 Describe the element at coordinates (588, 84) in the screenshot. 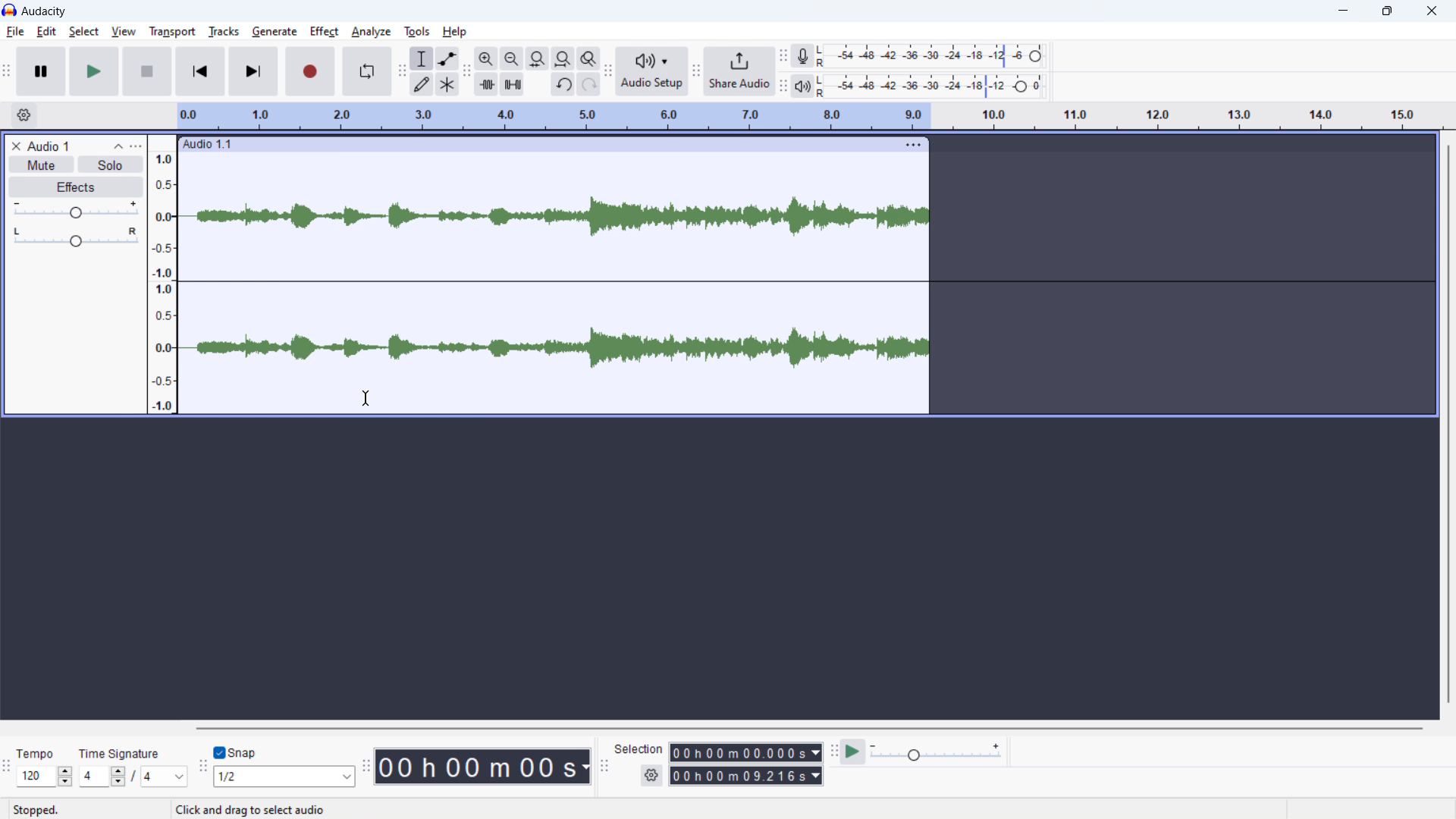

I see `redo` at that location.